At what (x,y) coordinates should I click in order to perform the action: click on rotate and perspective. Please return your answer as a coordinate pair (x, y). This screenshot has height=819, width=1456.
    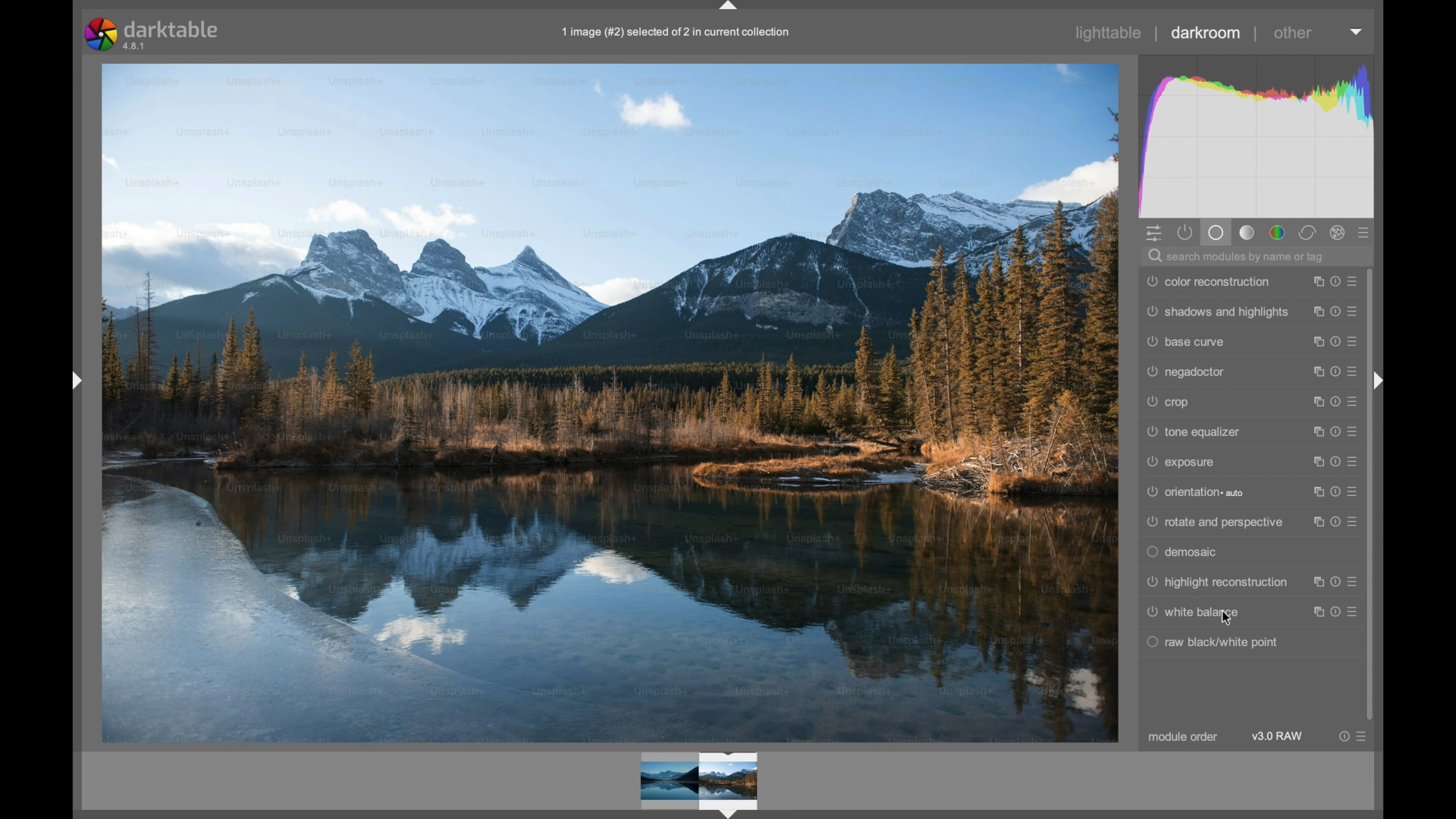
    Looking at the image, I should click on (1215, 522).